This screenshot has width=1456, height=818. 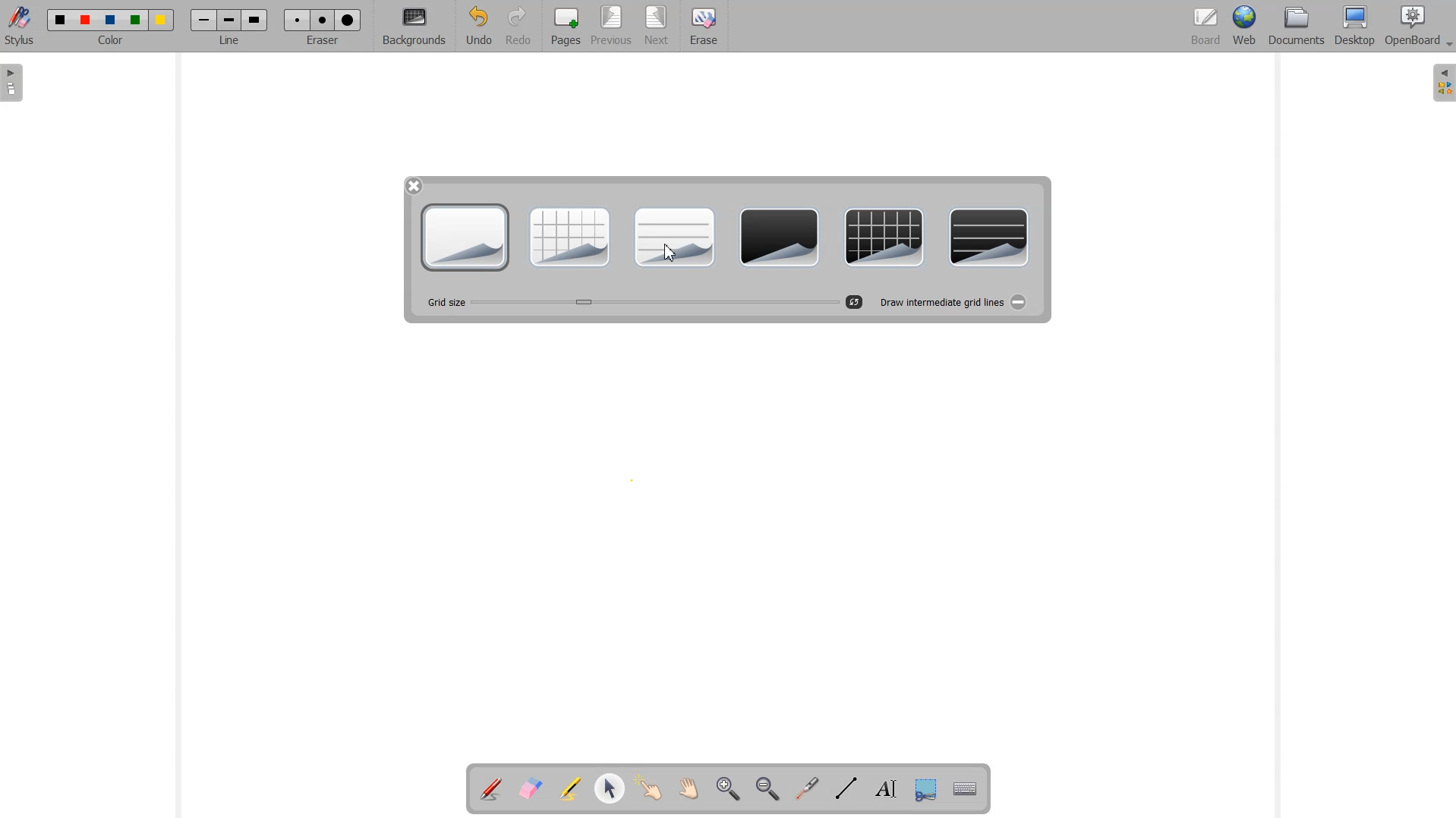 What do you see at coordinates (1447, 45) in the screenshot?
I see `Drop Down Box` at bounding box center [1447, 45].